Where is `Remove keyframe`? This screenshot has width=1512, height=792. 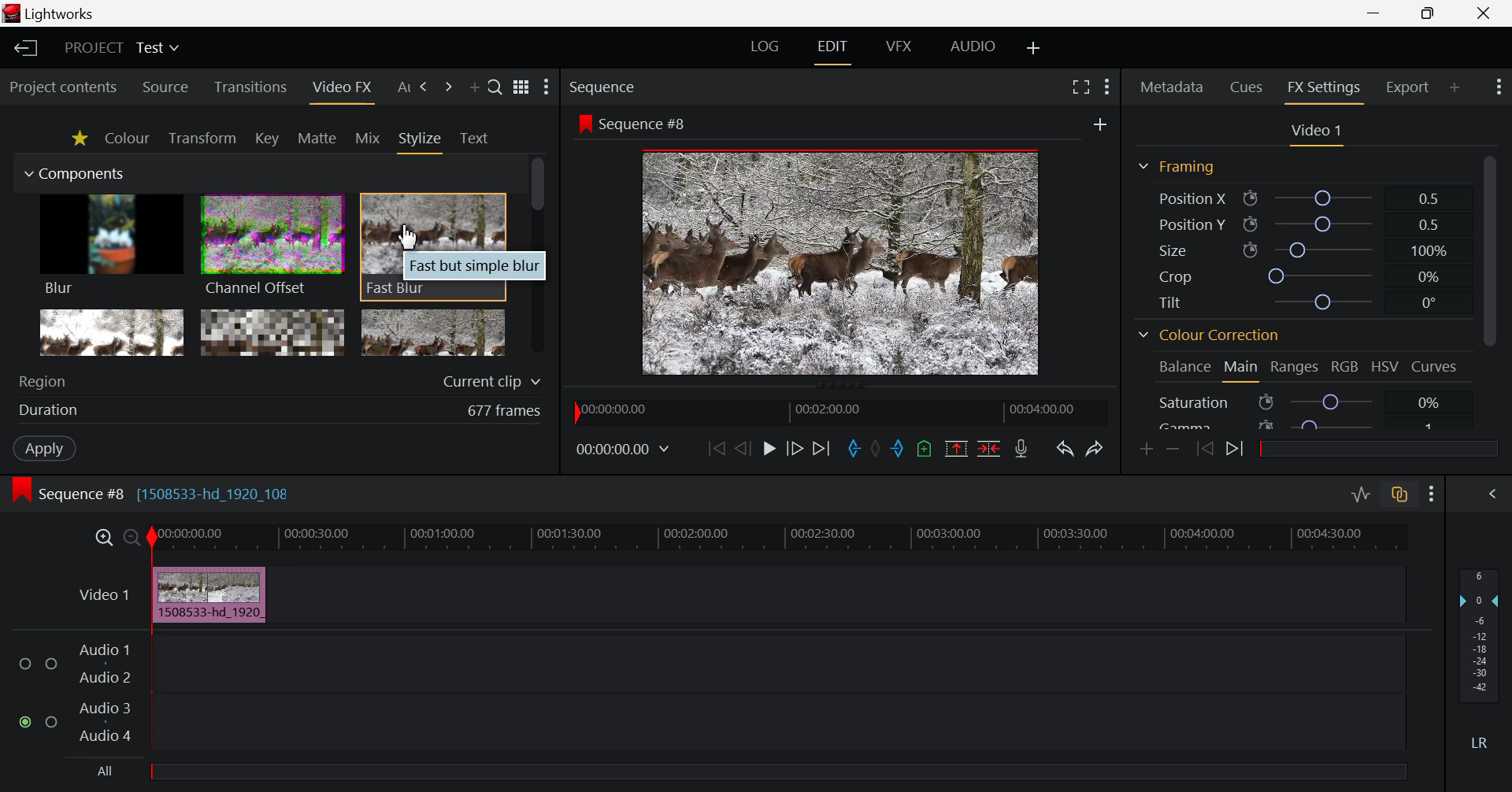 Remove keyframe is located at coordinates (1173, 452).